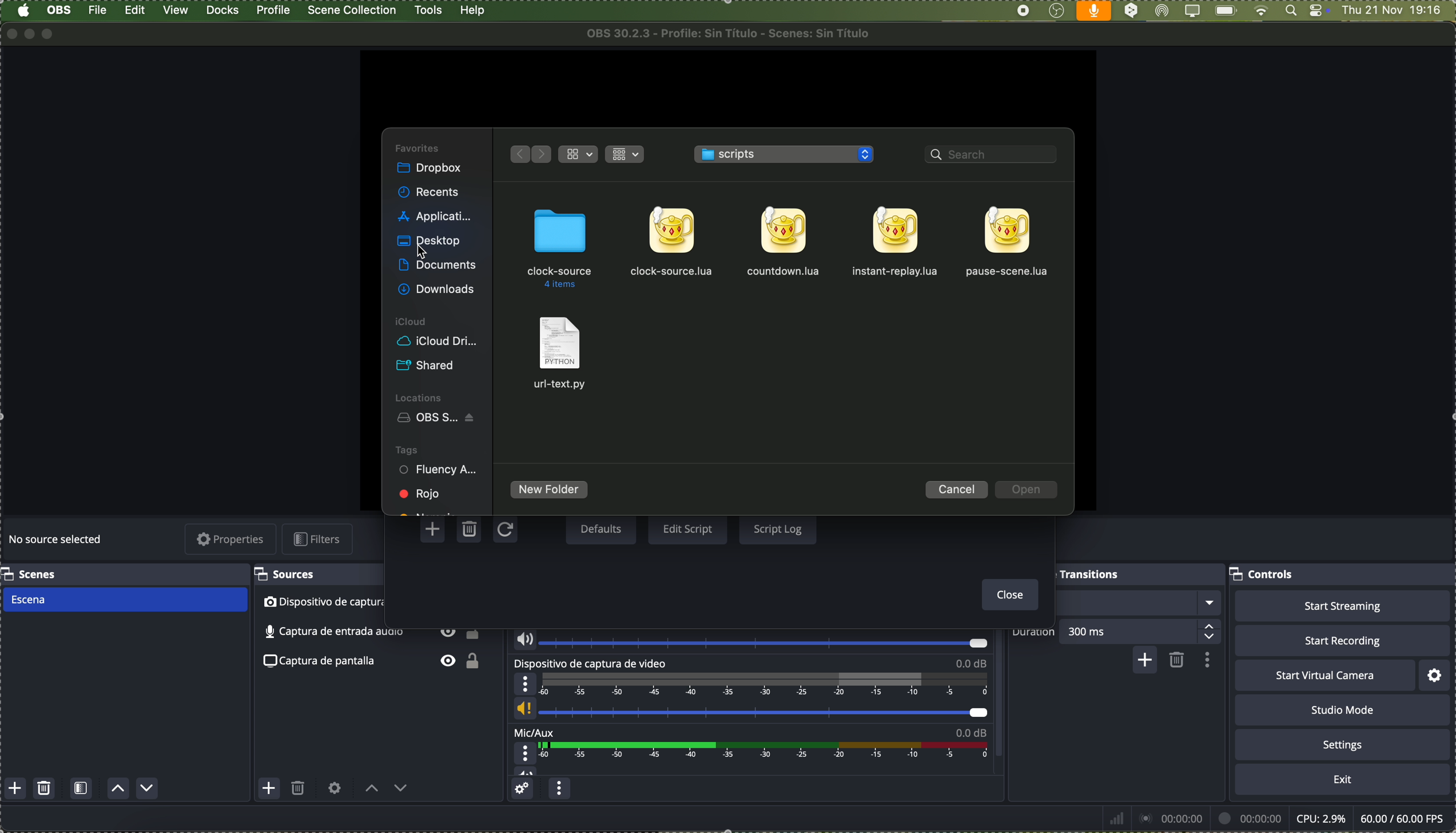 This screenshot has height=833, width=1456. What do you see at coordinates (353, 10) in the screenshot?
I see `scene collection` at bounding box center [353, 10].